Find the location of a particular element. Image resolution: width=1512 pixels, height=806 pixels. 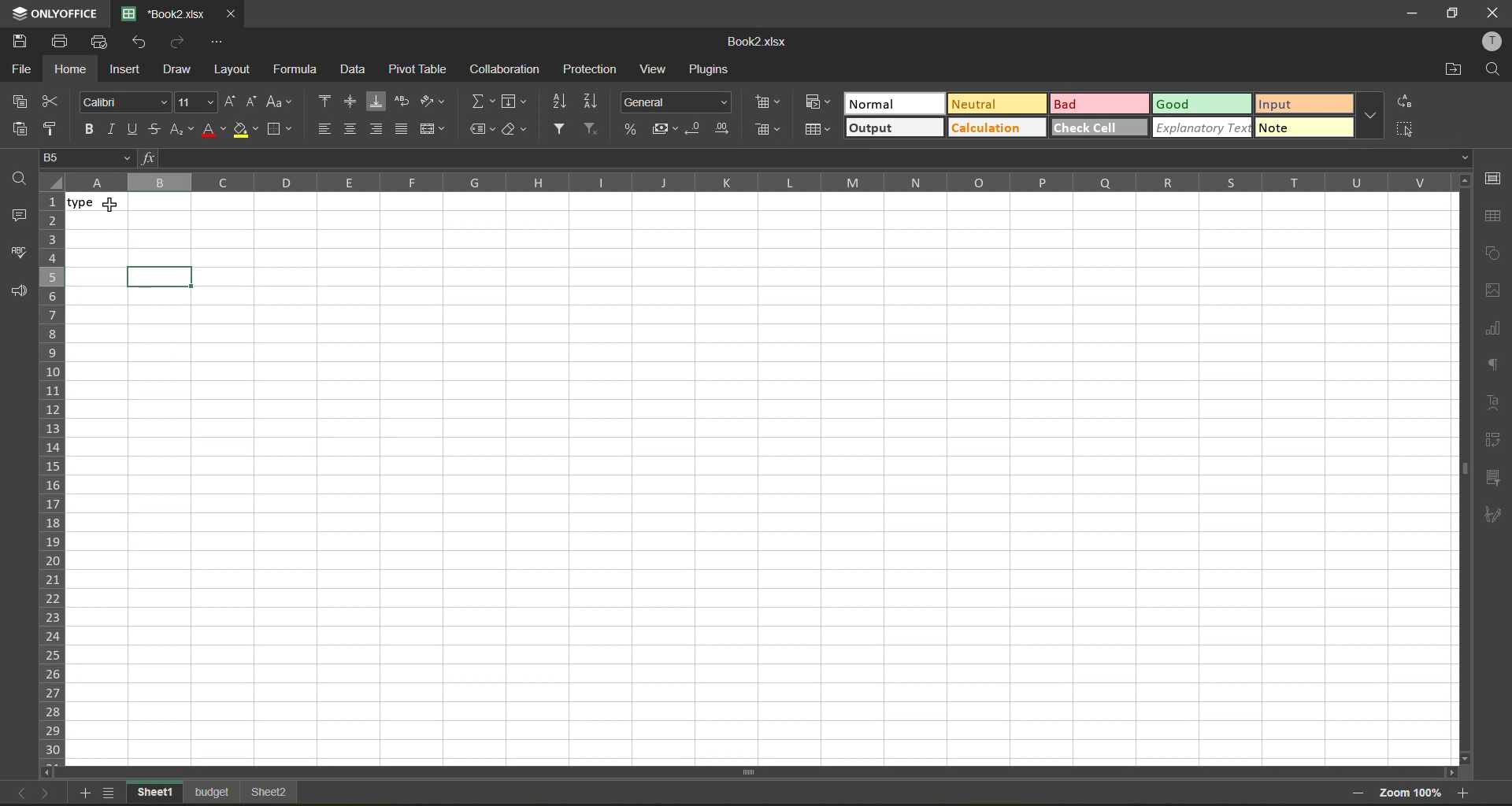

draw is located at coordinates (183, 70).